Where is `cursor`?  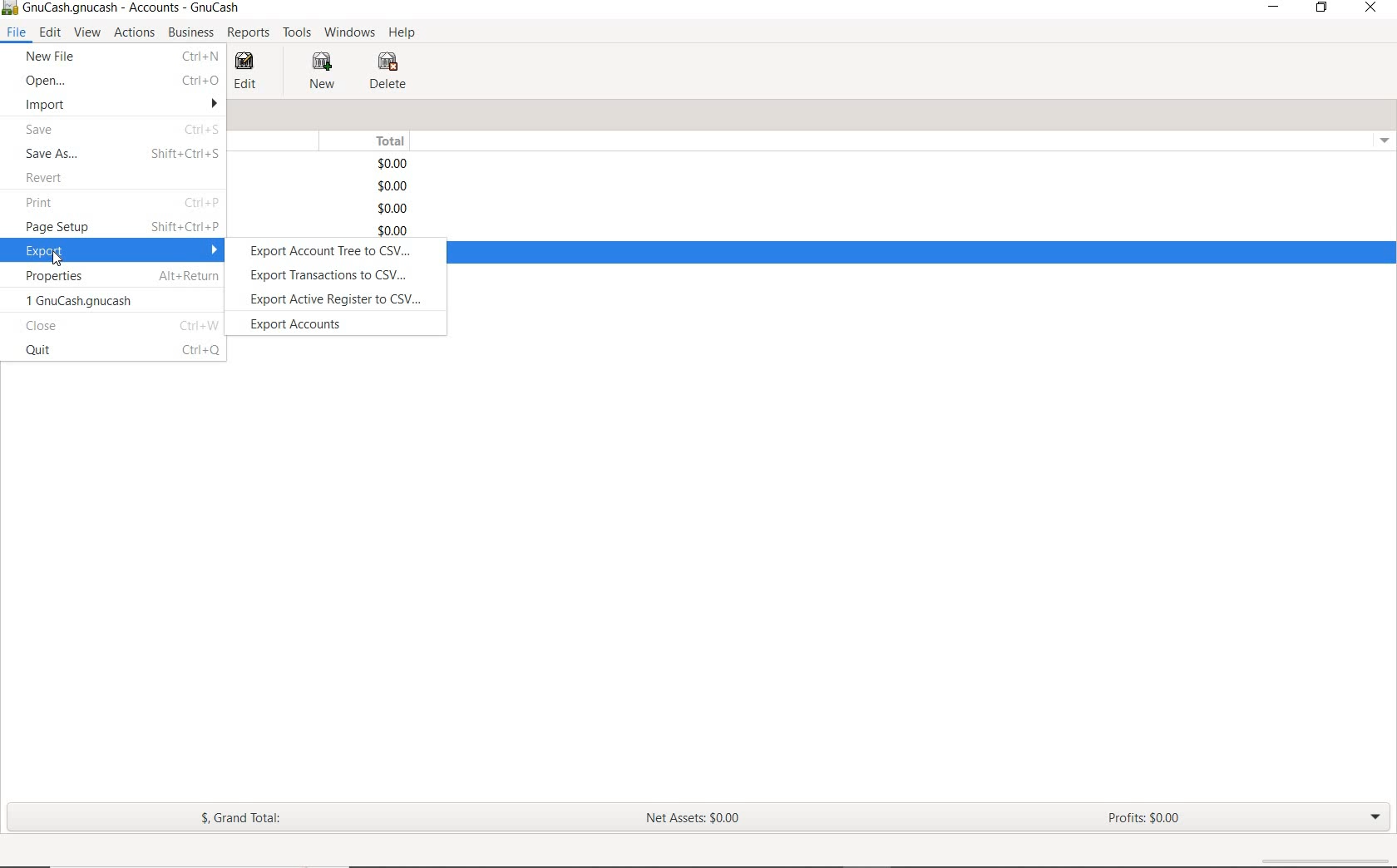
cursor is located at coordinates (61, 258).